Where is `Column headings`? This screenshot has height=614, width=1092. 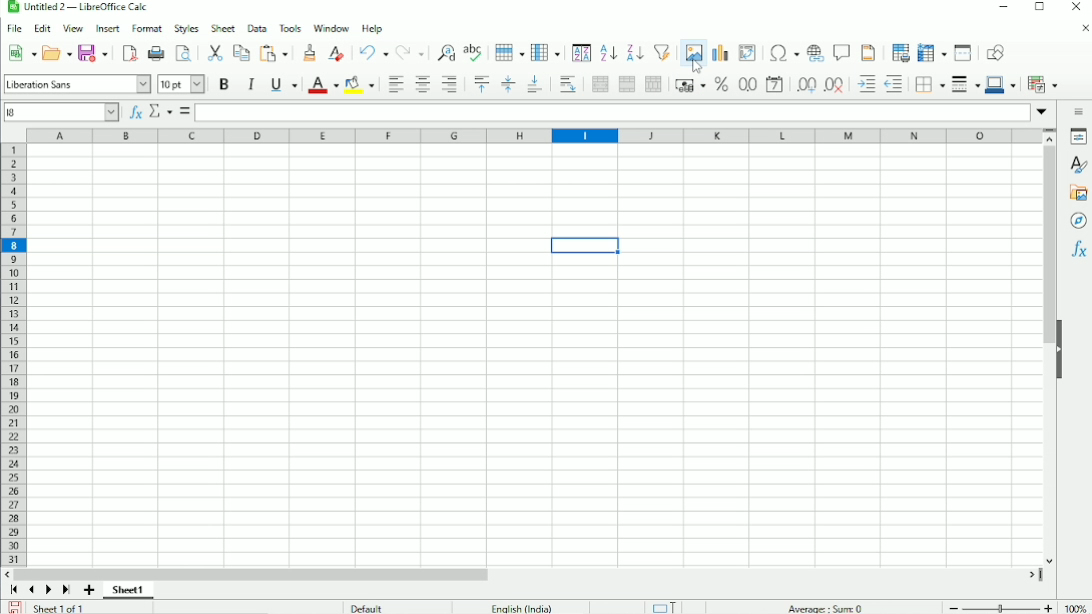 Column headings is located at coordinates (531, 135).